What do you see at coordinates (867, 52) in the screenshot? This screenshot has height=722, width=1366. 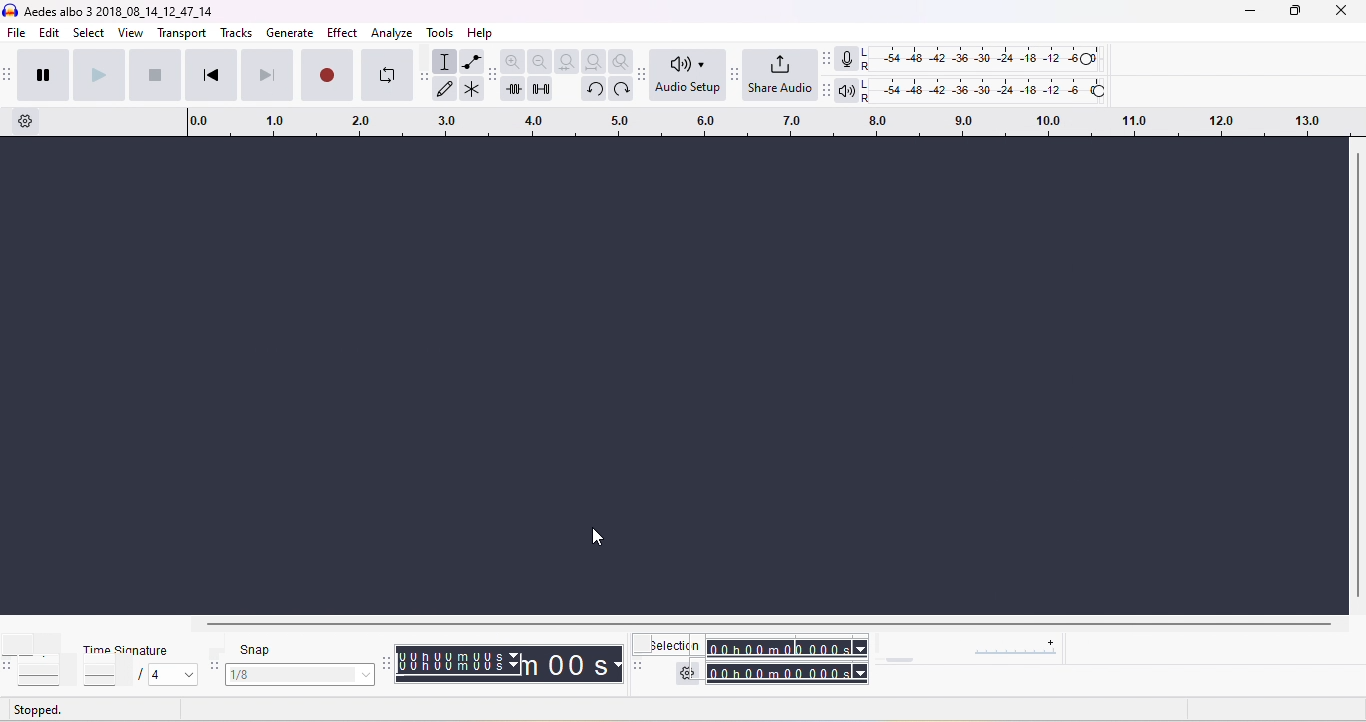 I see `L` at bounding box center [867, 52].